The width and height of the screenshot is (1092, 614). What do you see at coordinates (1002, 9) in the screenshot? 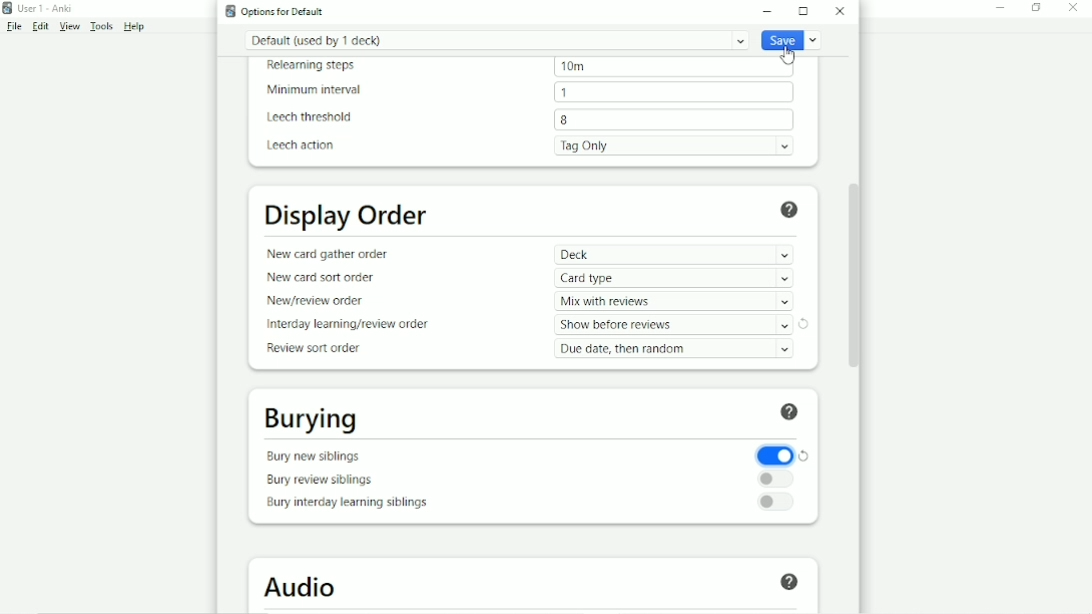
I see `Minimize` at bounding box center [1002, 9].